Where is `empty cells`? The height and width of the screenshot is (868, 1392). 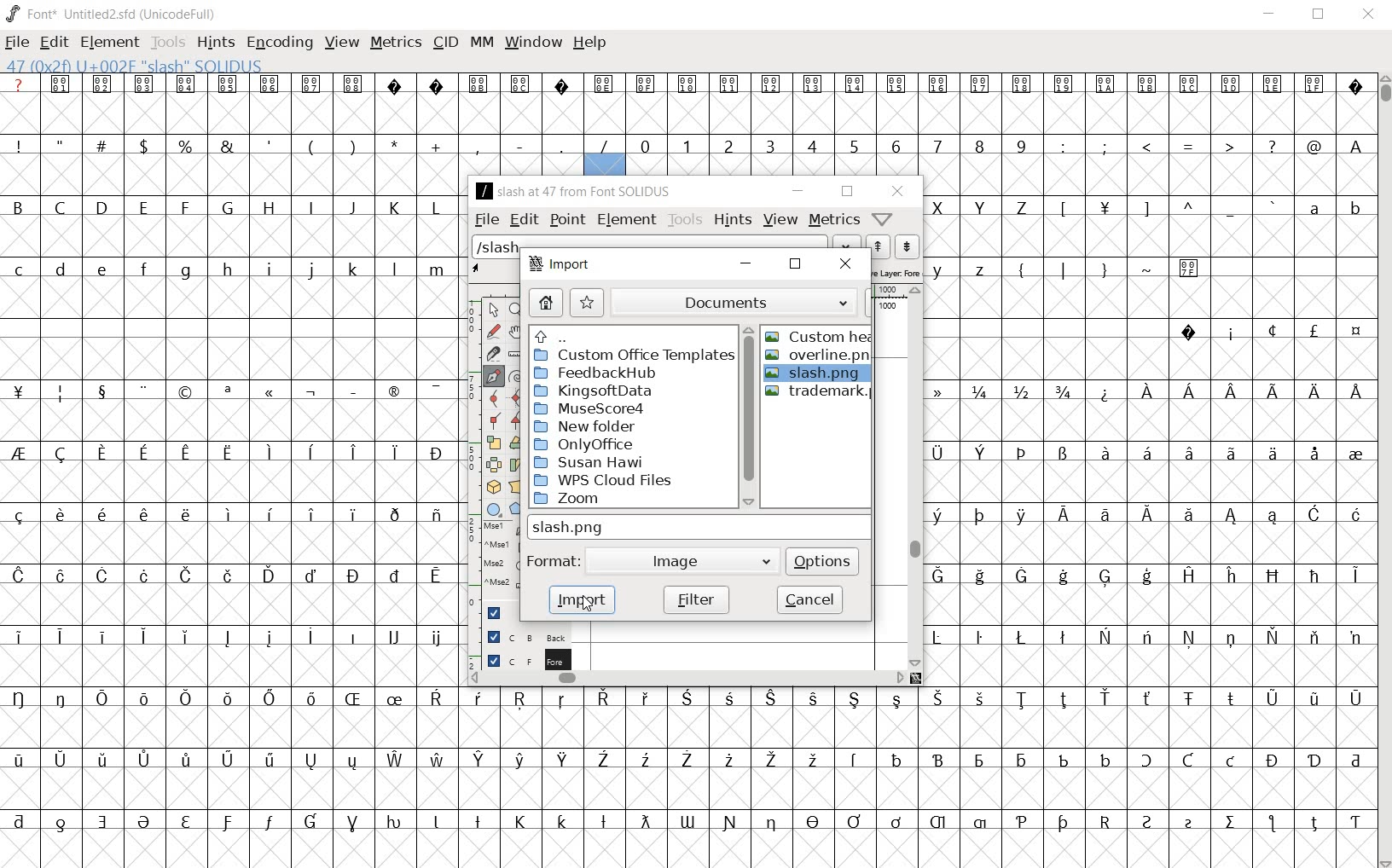
empty cells is located at coordinates (234, 483).